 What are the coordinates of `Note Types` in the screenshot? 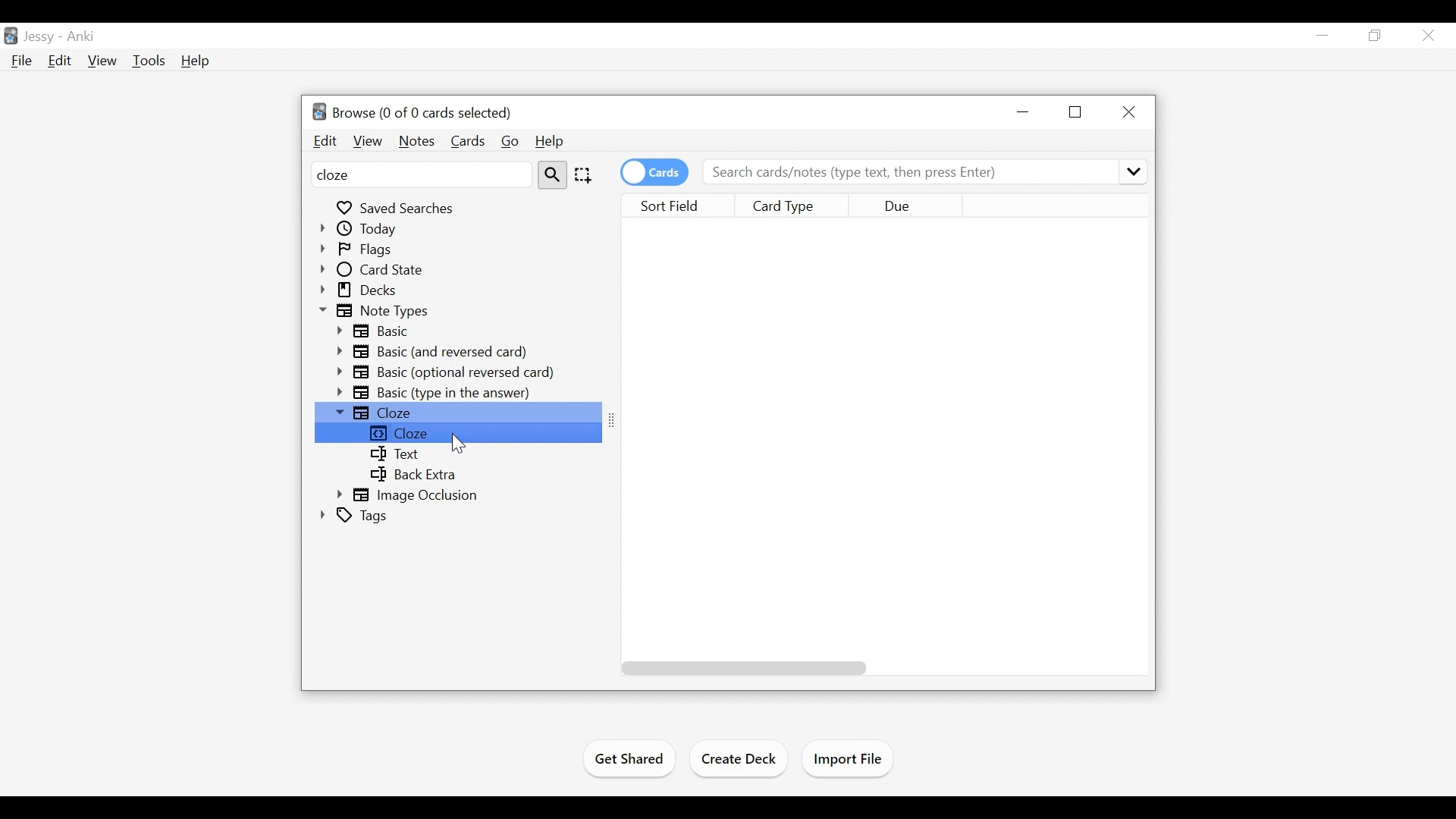 It's located at (377, 312).